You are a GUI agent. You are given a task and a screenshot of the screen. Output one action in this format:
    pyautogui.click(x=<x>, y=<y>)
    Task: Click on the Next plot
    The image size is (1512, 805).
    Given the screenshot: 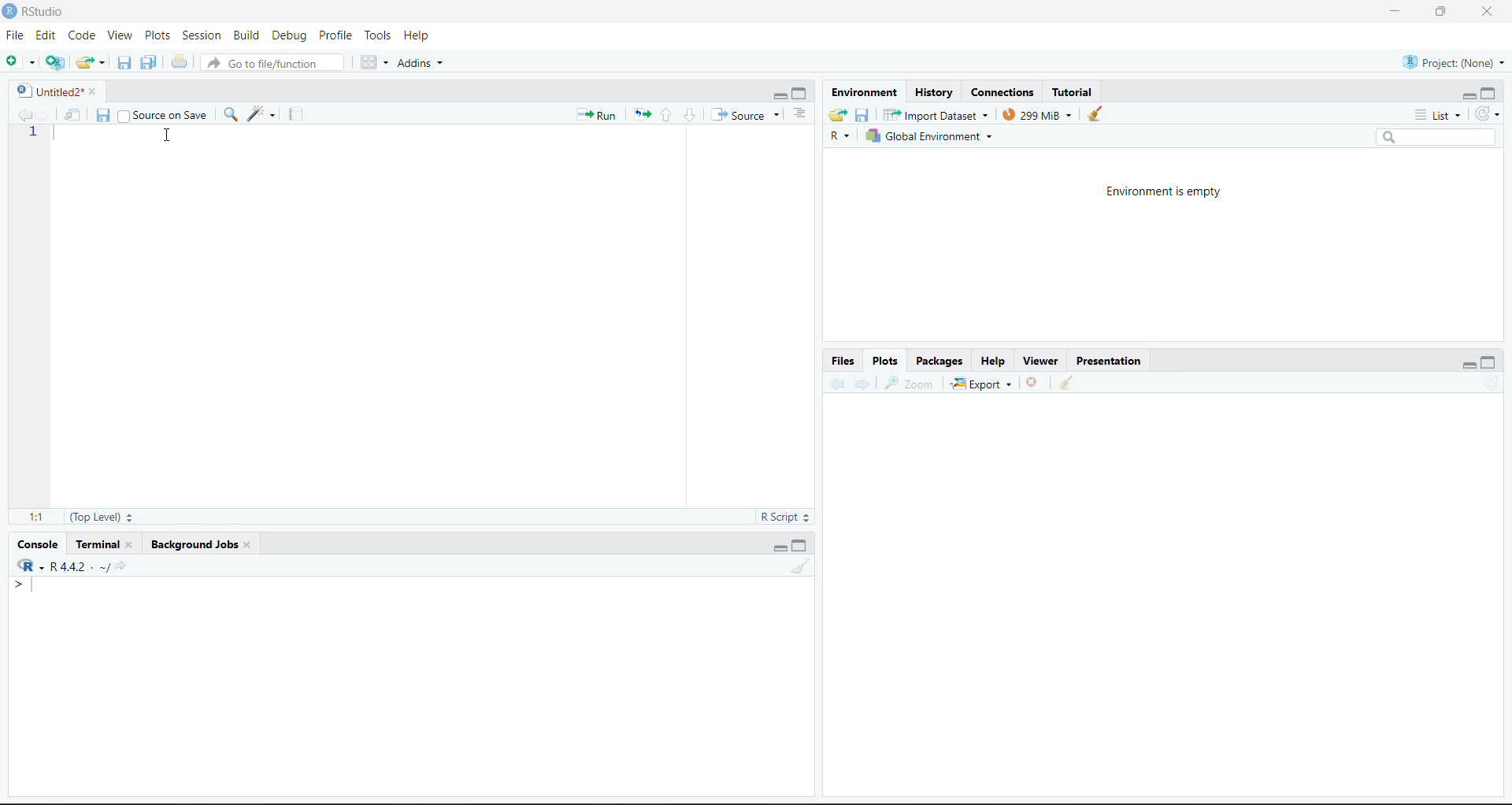 What is the action you would take?
    pyautogui.click(x=865, y=382)
    